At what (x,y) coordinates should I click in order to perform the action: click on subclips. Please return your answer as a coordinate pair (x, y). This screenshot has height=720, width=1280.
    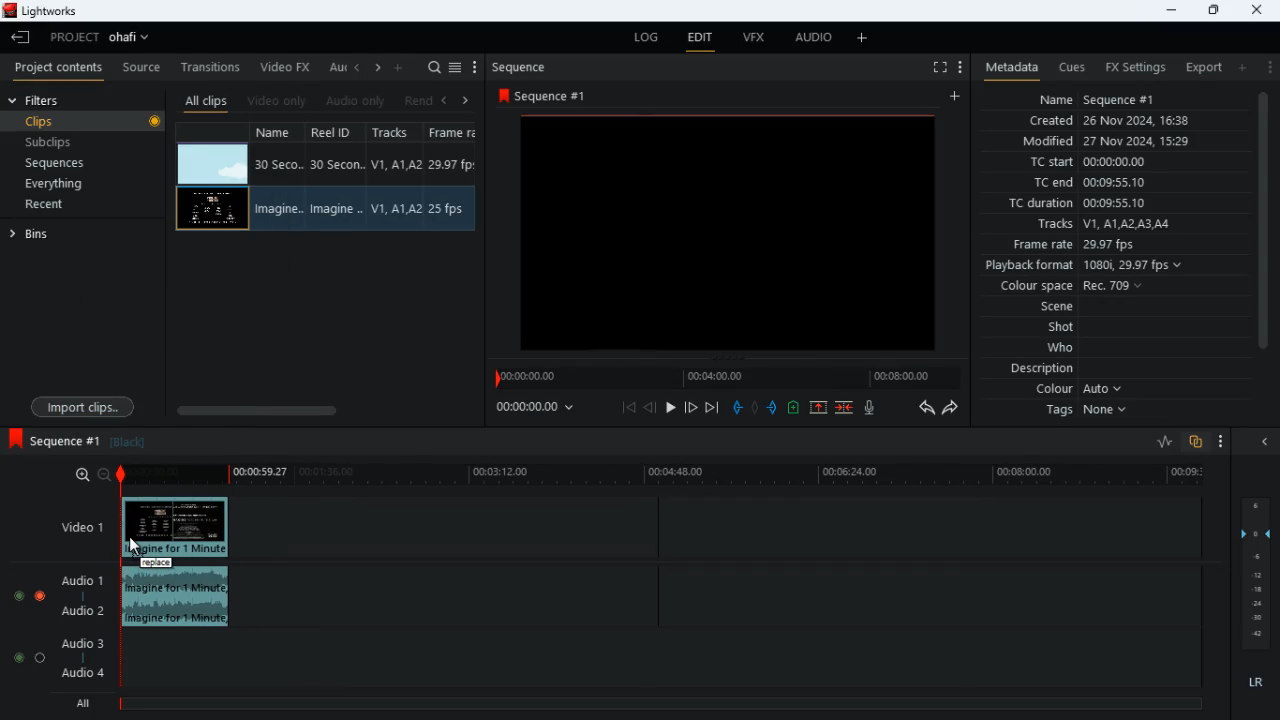
    Looking at the image, I should click on (51, 145).